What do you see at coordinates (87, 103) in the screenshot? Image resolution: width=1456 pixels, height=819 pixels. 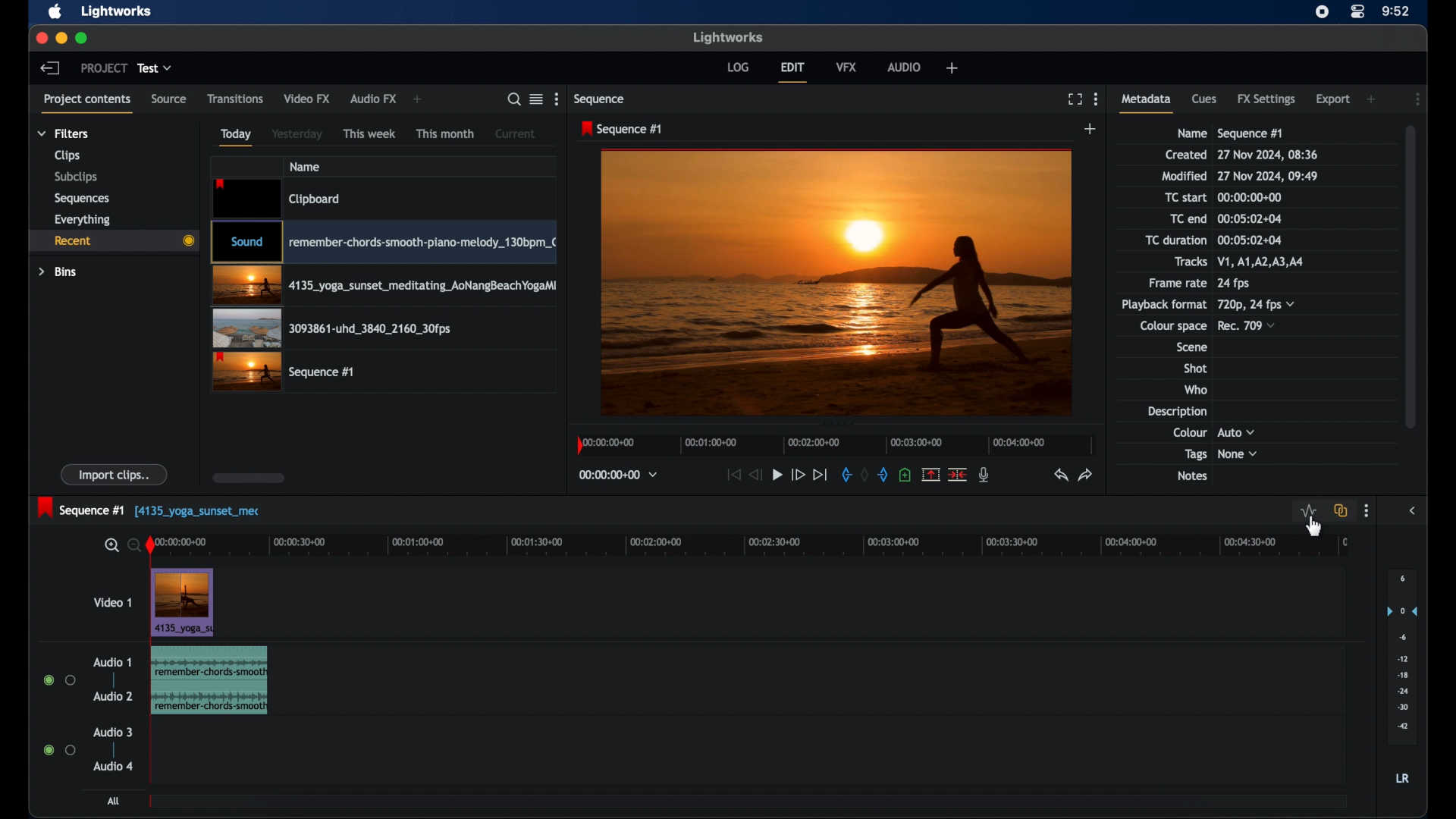 I see `project contents` at bounding box center [87, 103].